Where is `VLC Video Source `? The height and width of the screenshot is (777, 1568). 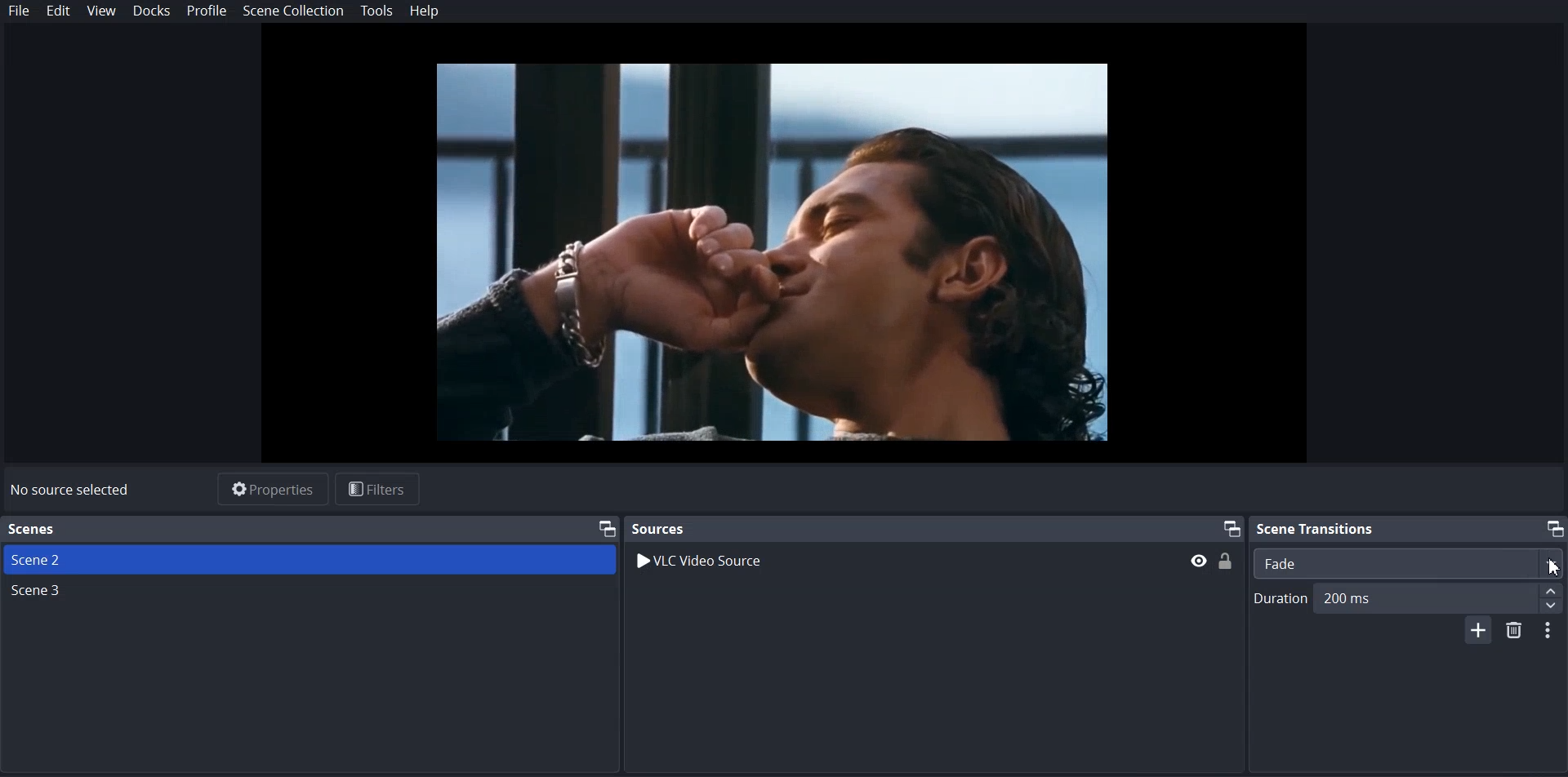 VLC Video Source  is located at coordinates (704, 563).